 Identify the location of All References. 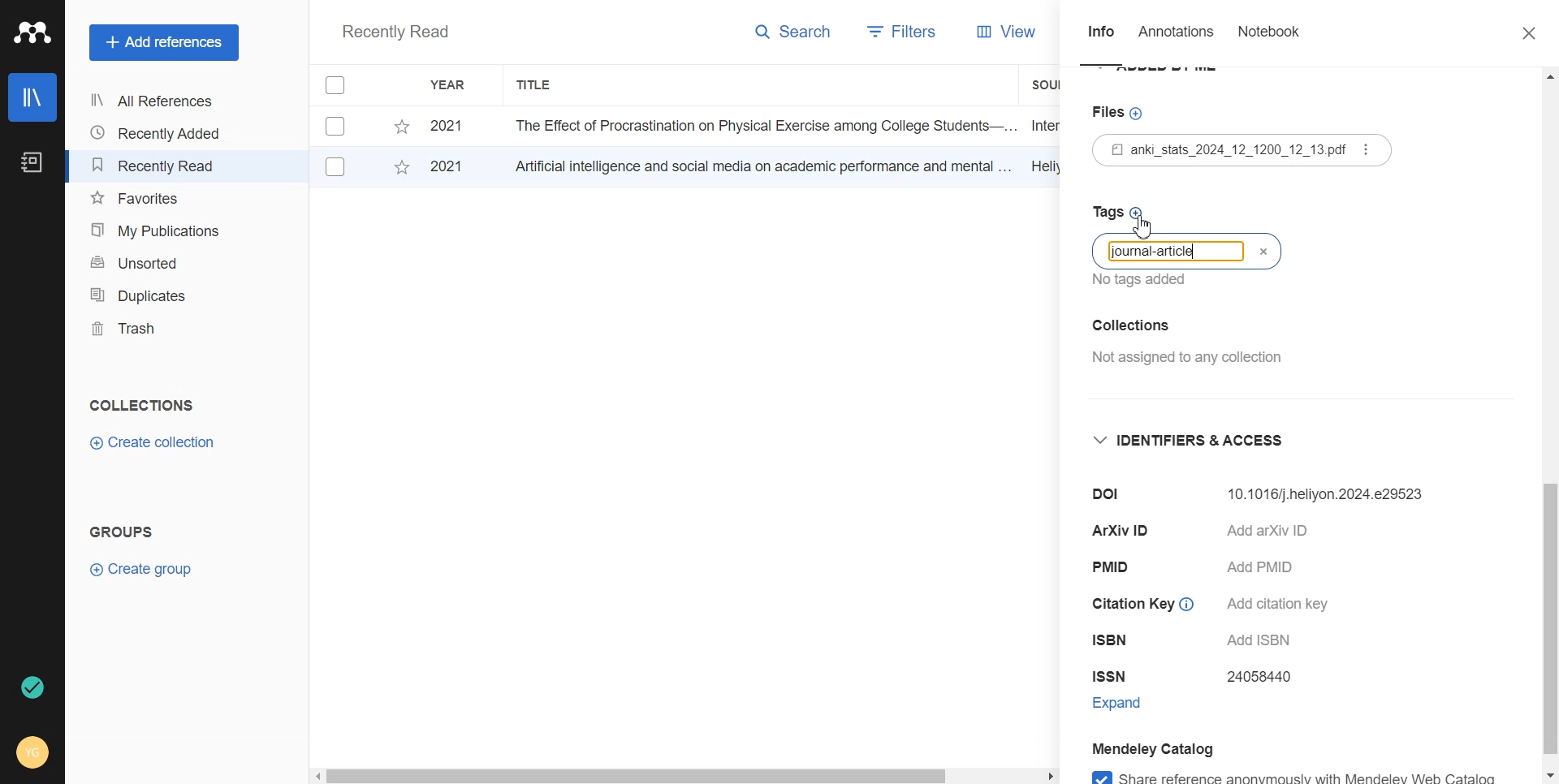
(158, 101).